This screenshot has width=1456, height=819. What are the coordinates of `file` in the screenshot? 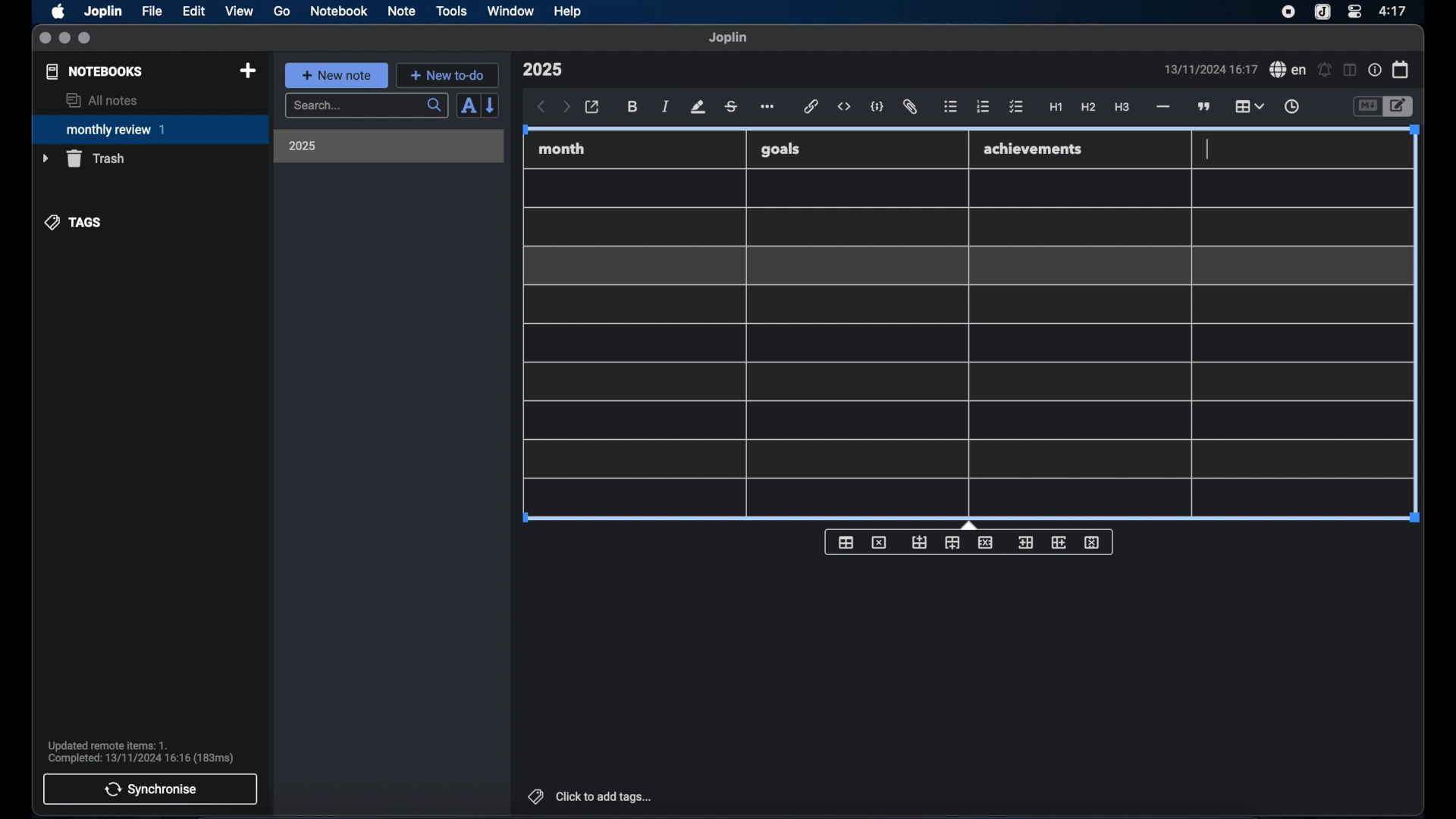 It's located at (152, 11).